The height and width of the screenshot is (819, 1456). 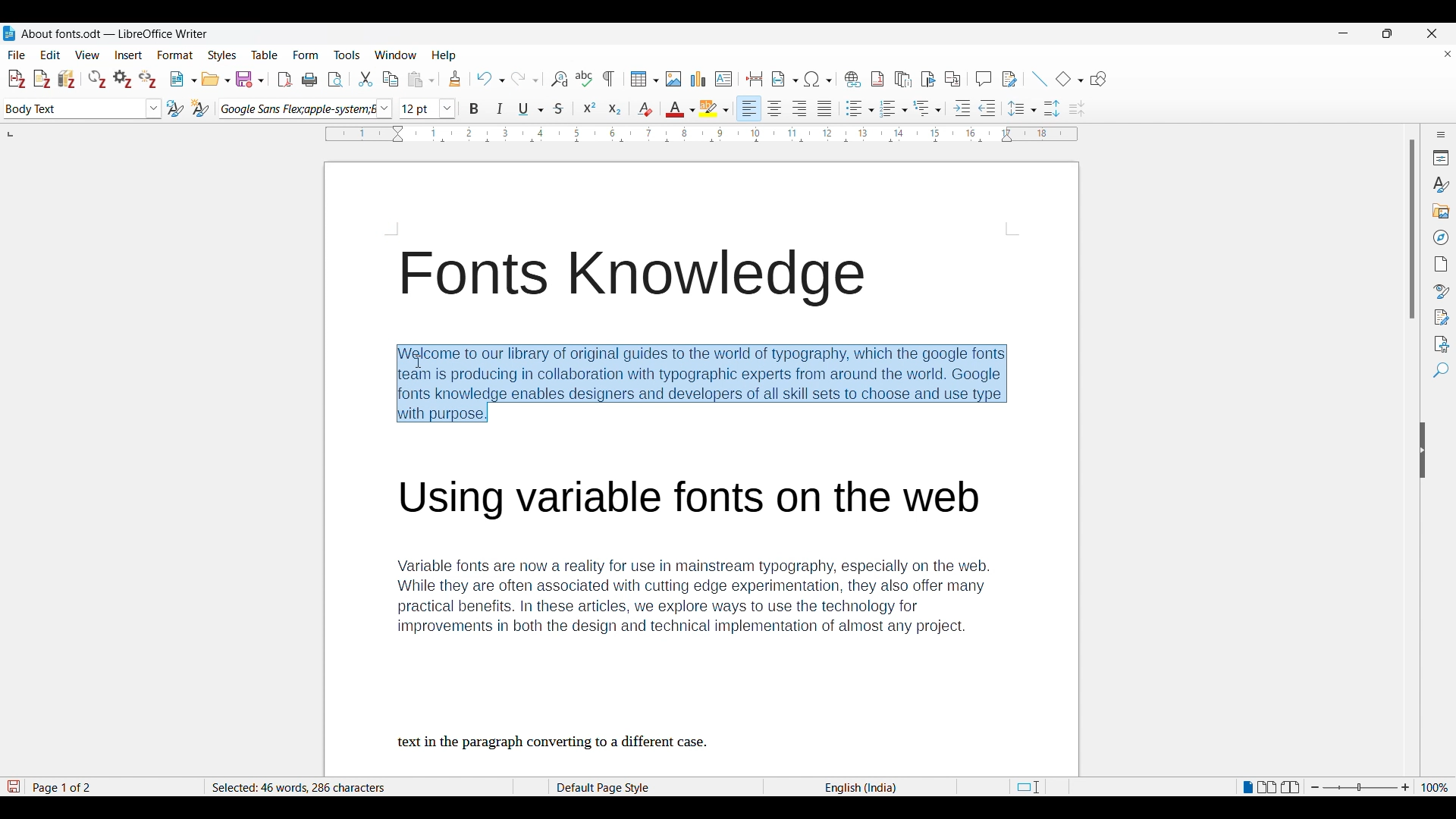 I want to click on Special character options, so click(x=819, y=79).